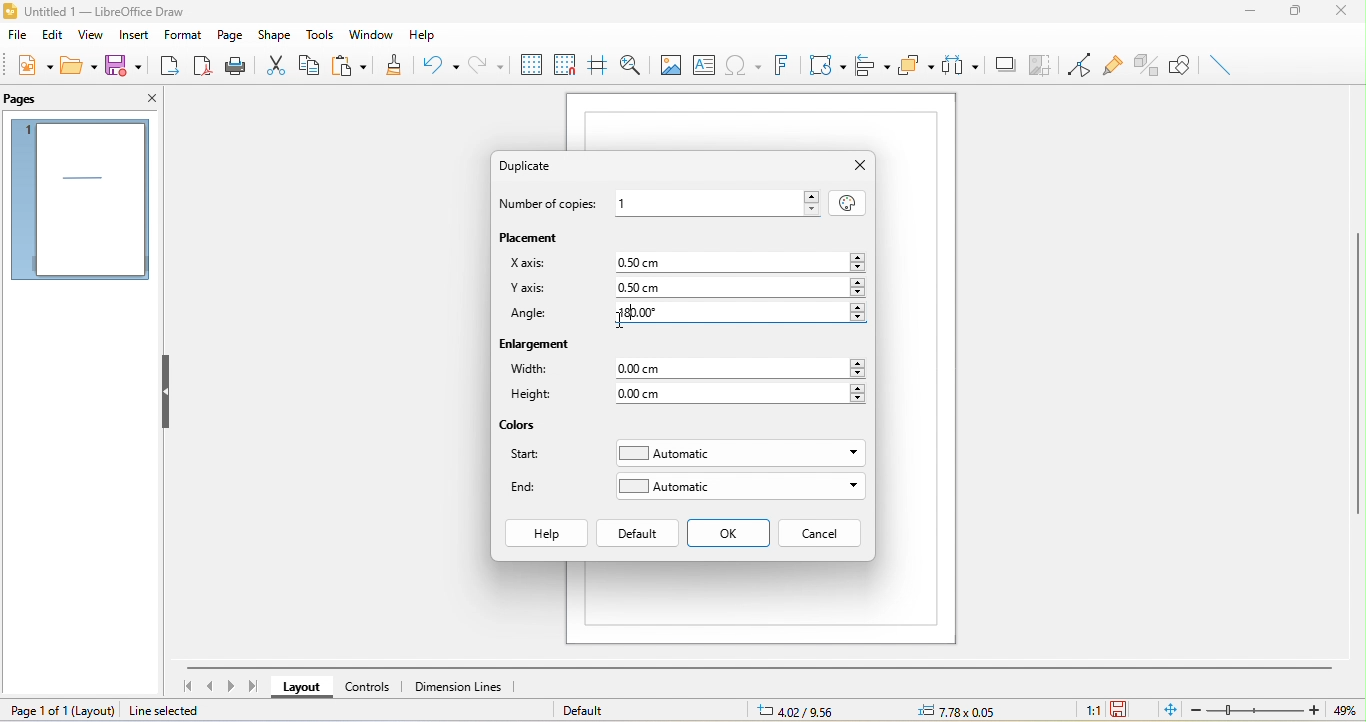  What do you see at coordinates (371, 686) in the screenshot?
I see `controls` at bounding box center [371, 686].